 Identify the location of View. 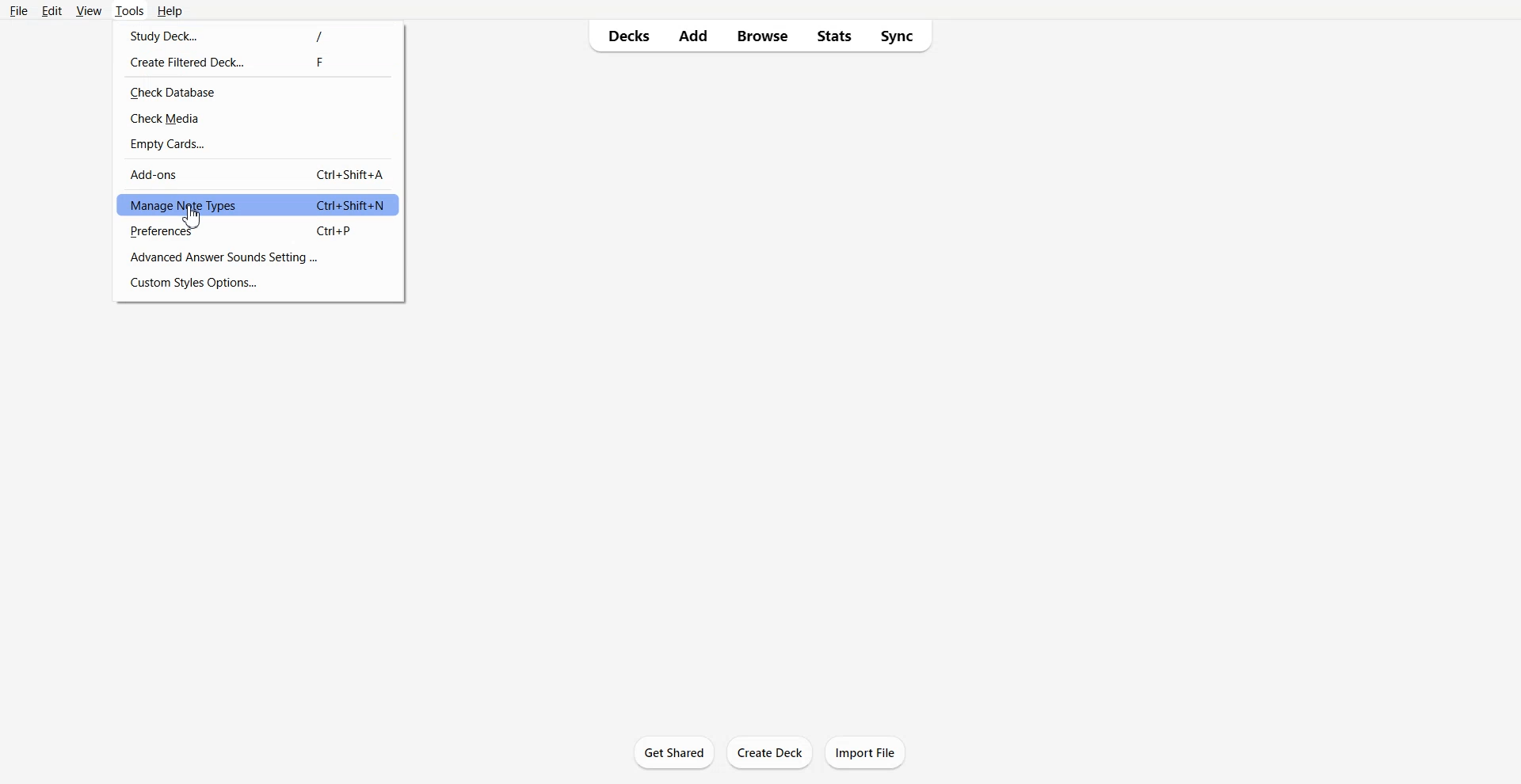
(88, 11).